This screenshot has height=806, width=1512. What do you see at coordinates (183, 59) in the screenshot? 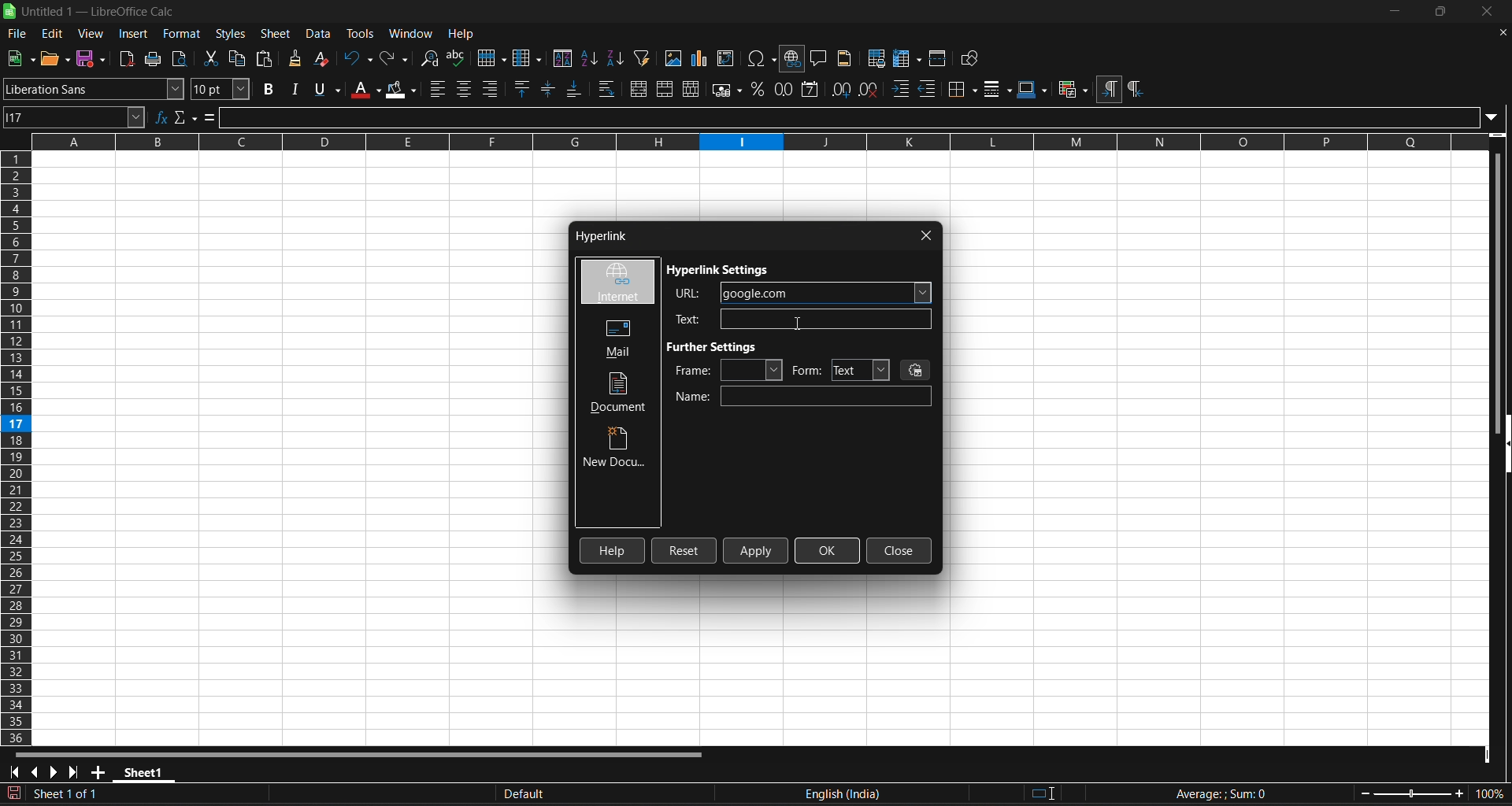
I see `toggle print preview` at bounding box center [183, 59].